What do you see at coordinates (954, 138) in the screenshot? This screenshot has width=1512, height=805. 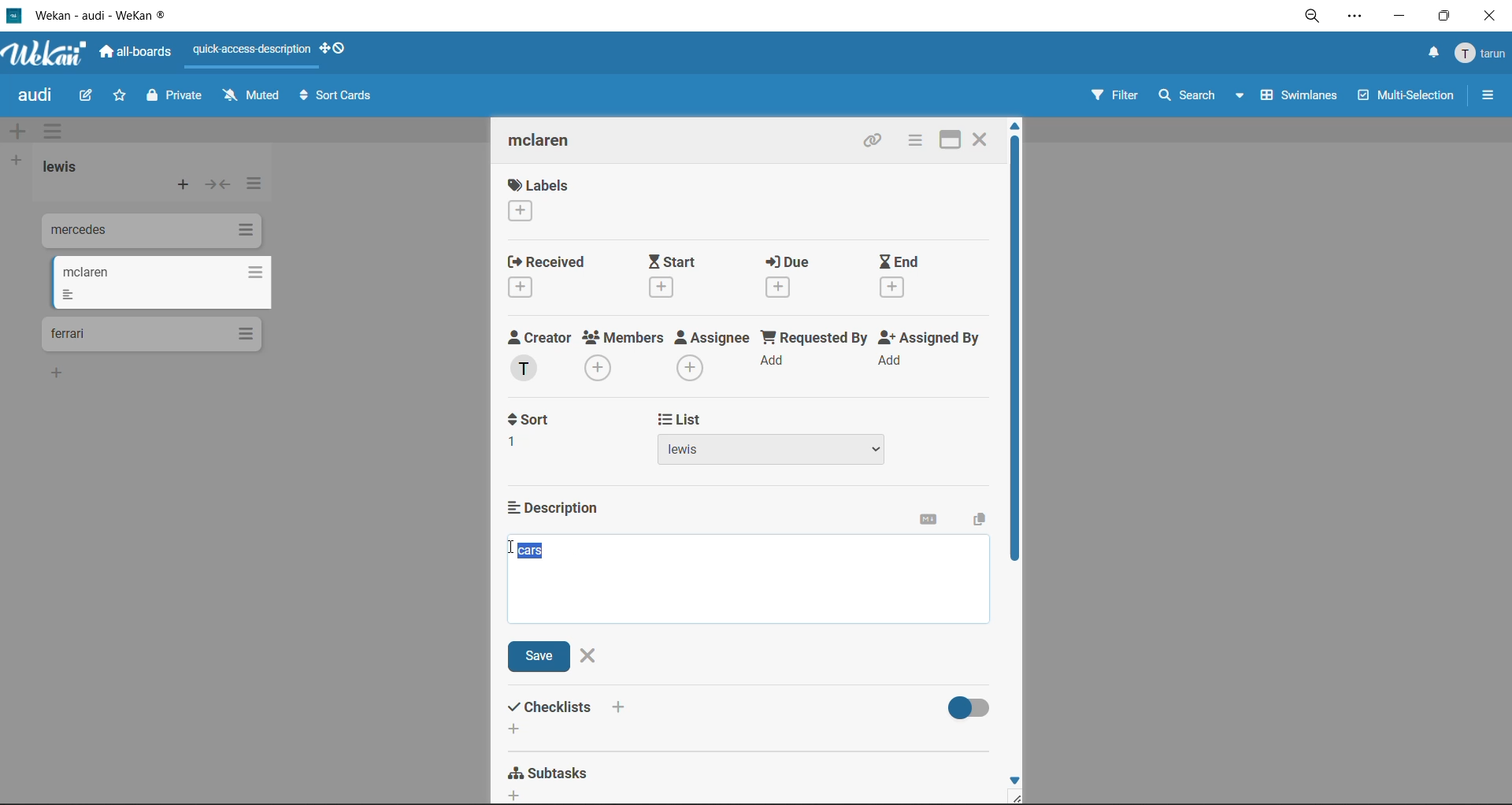 I see `maximize` at bounding box center [954, 138].